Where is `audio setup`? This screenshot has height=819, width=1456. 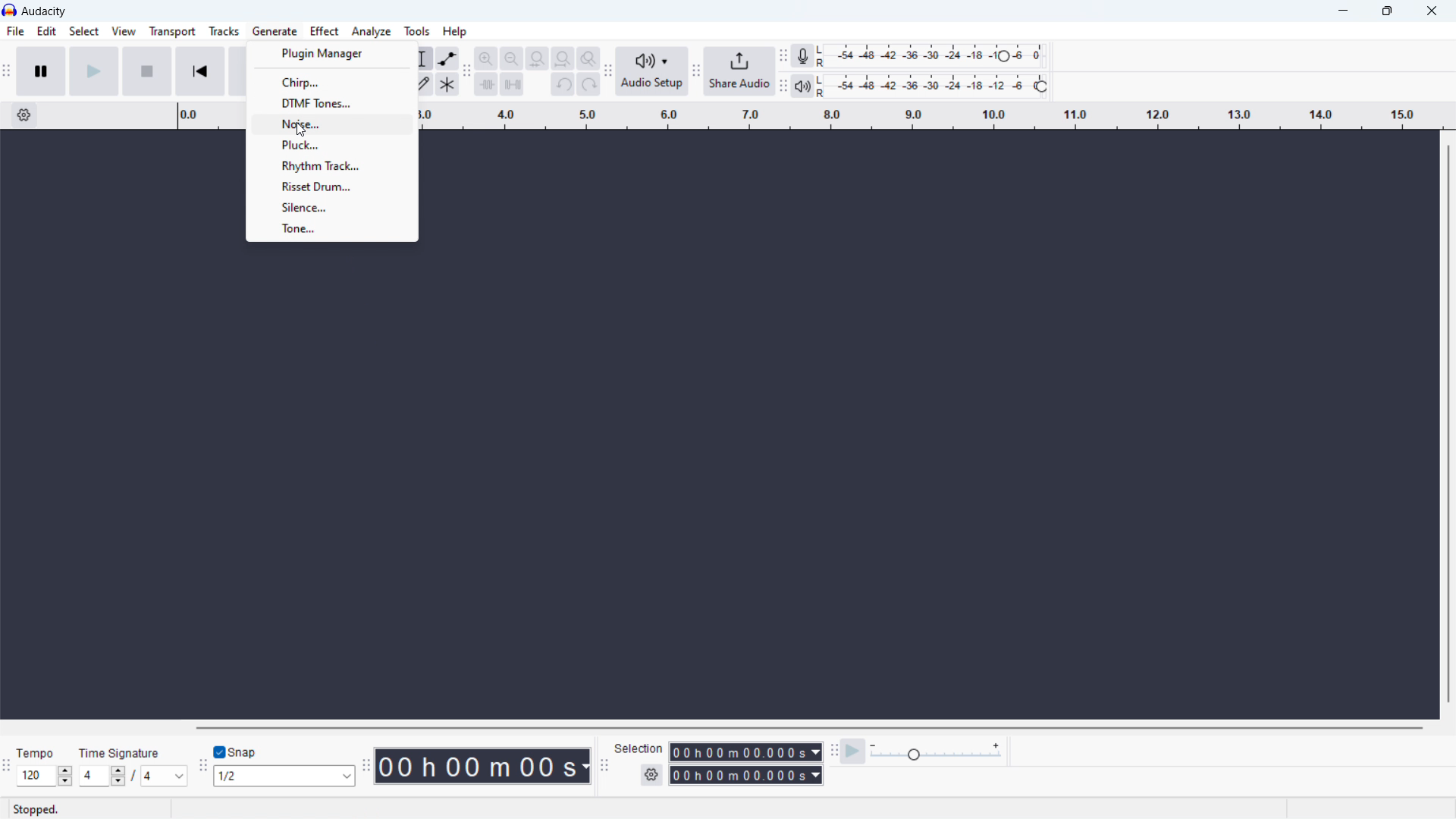 audio setup is located at coordinates (651, 71).